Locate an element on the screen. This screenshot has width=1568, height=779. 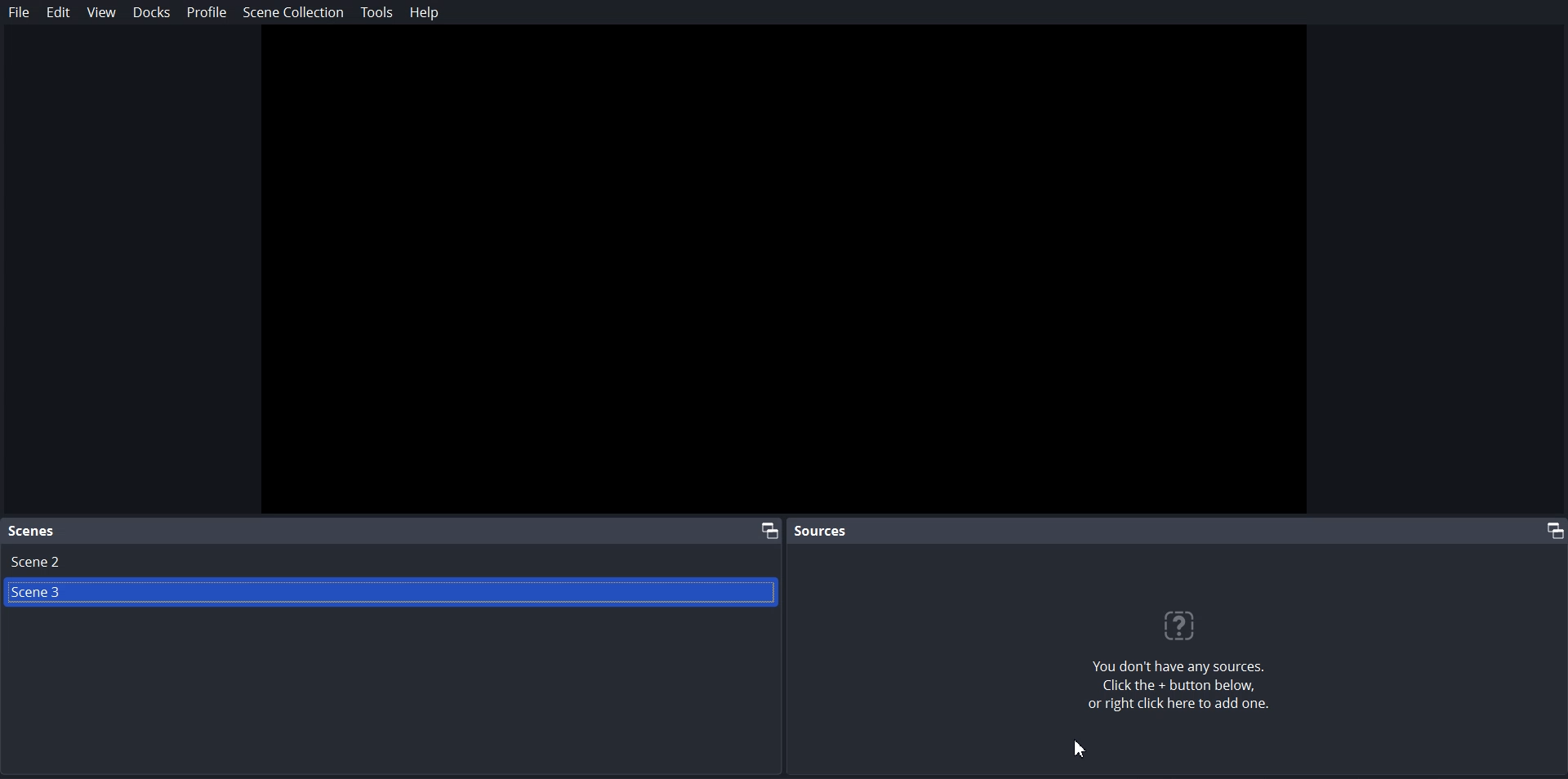
Maximize is located at coordinates (1550, 530).